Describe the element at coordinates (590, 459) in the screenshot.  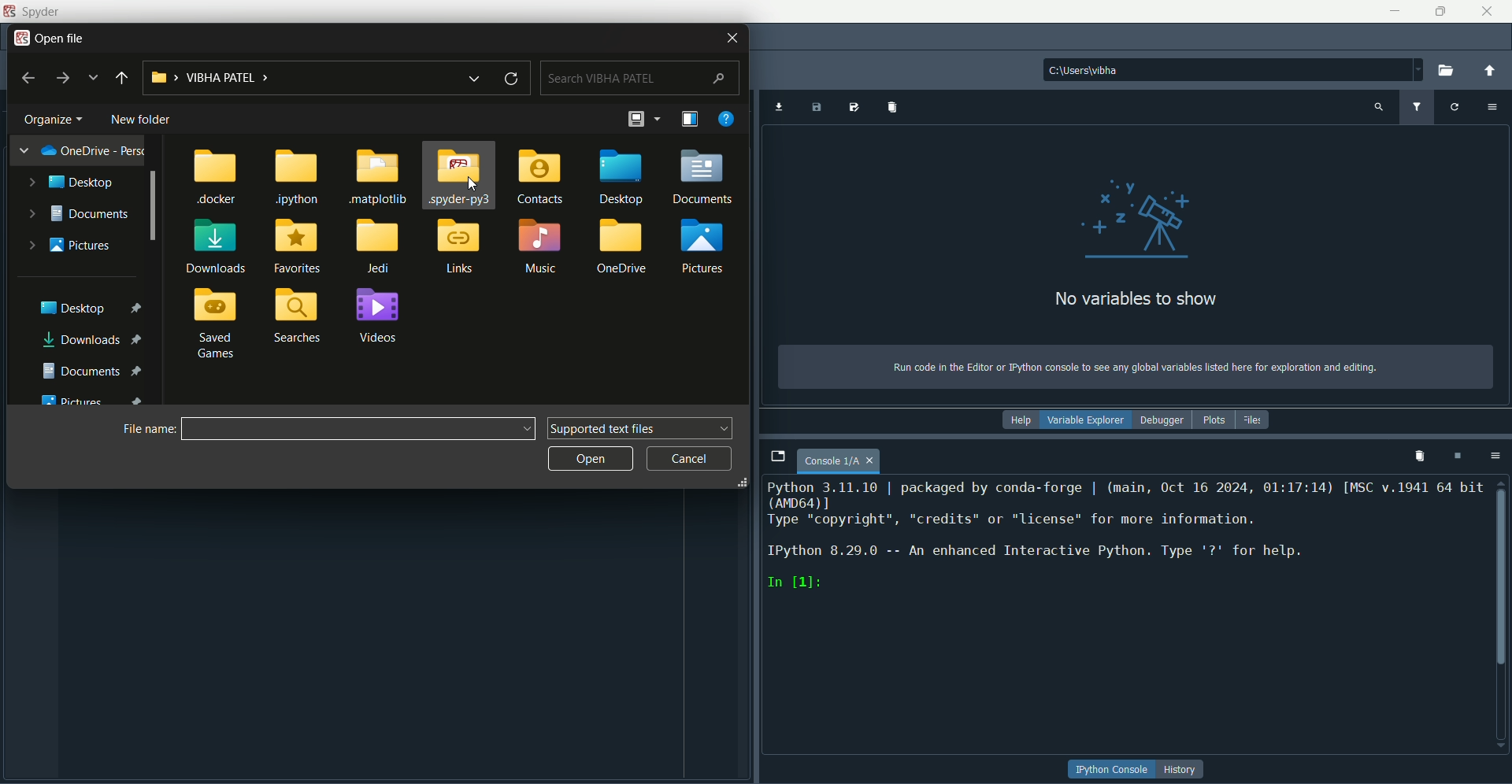
I see `open` at that location.